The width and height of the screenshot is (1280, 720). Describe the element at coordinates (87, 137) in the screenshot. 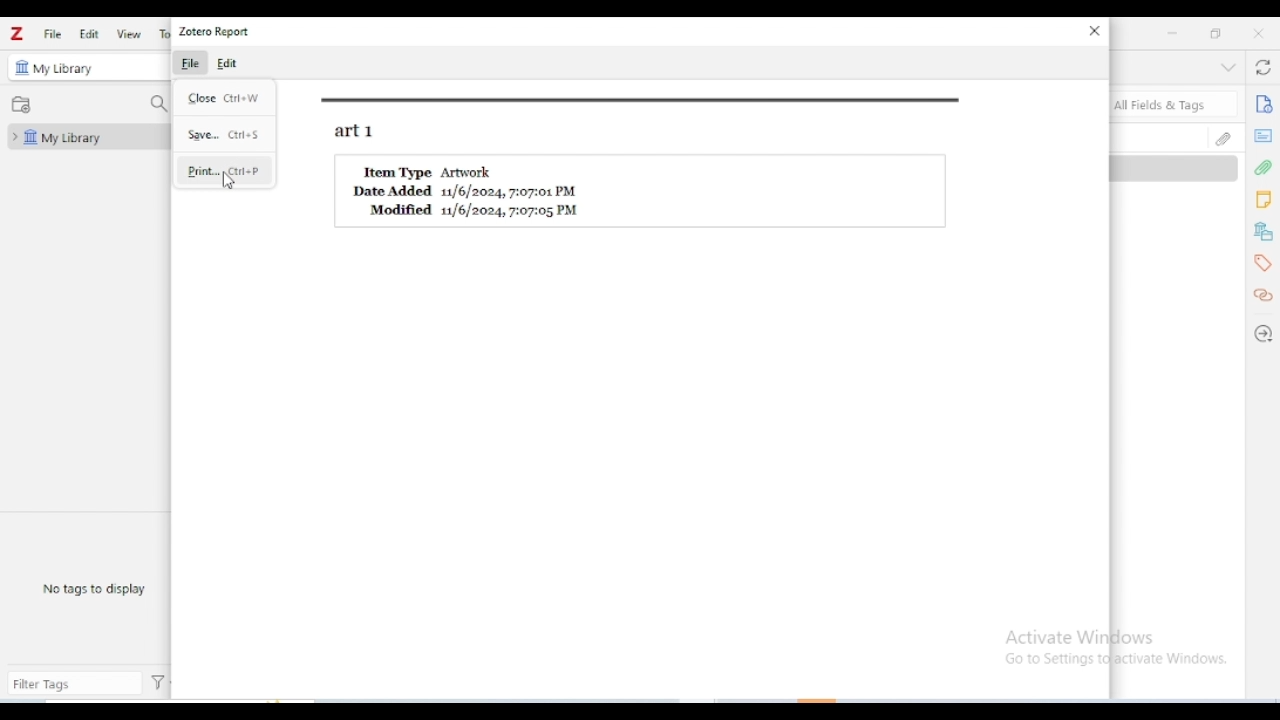

I see `my library` at that location.